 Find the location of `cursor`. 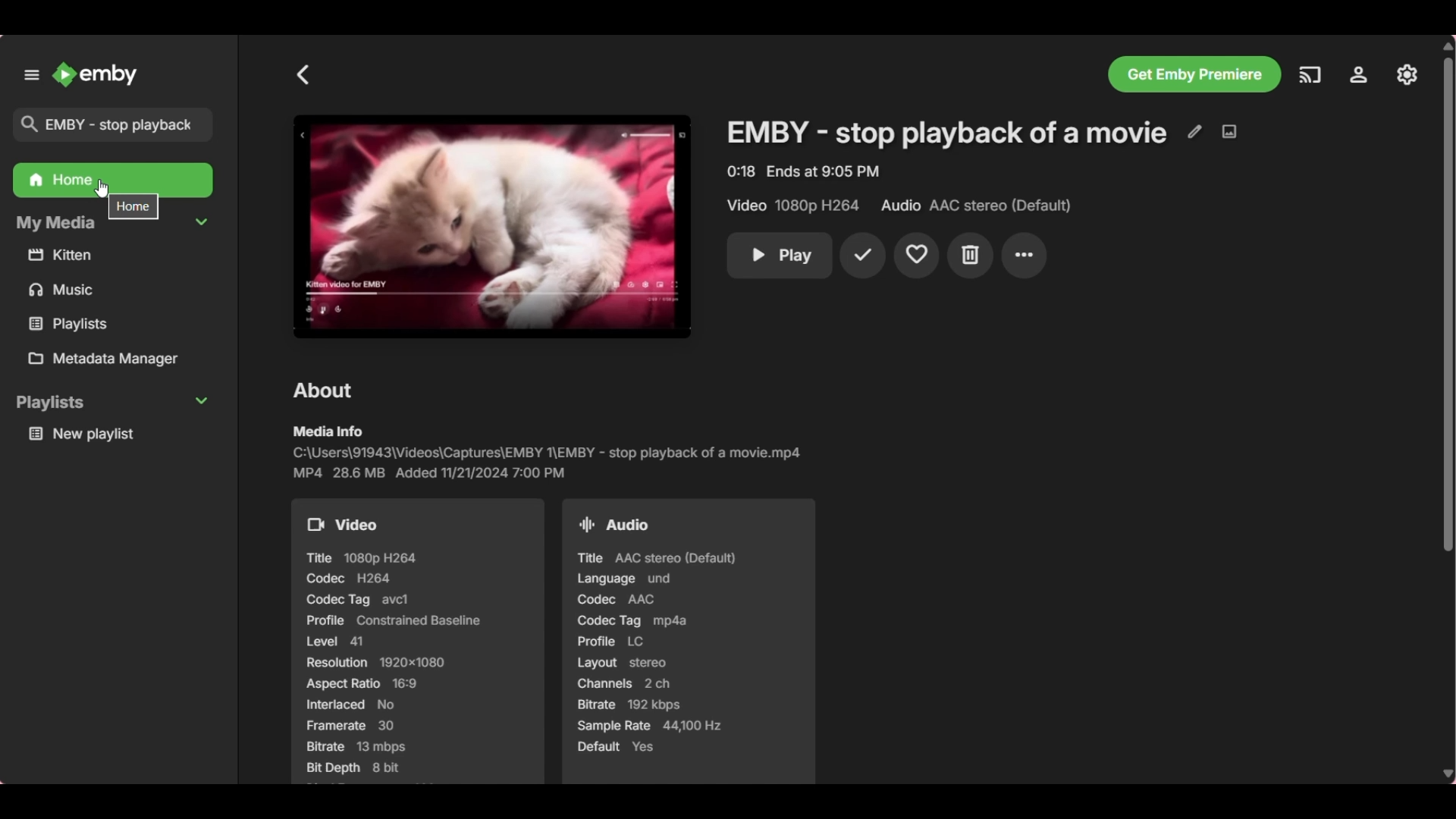

cursor is located at coordinates (102, 188).